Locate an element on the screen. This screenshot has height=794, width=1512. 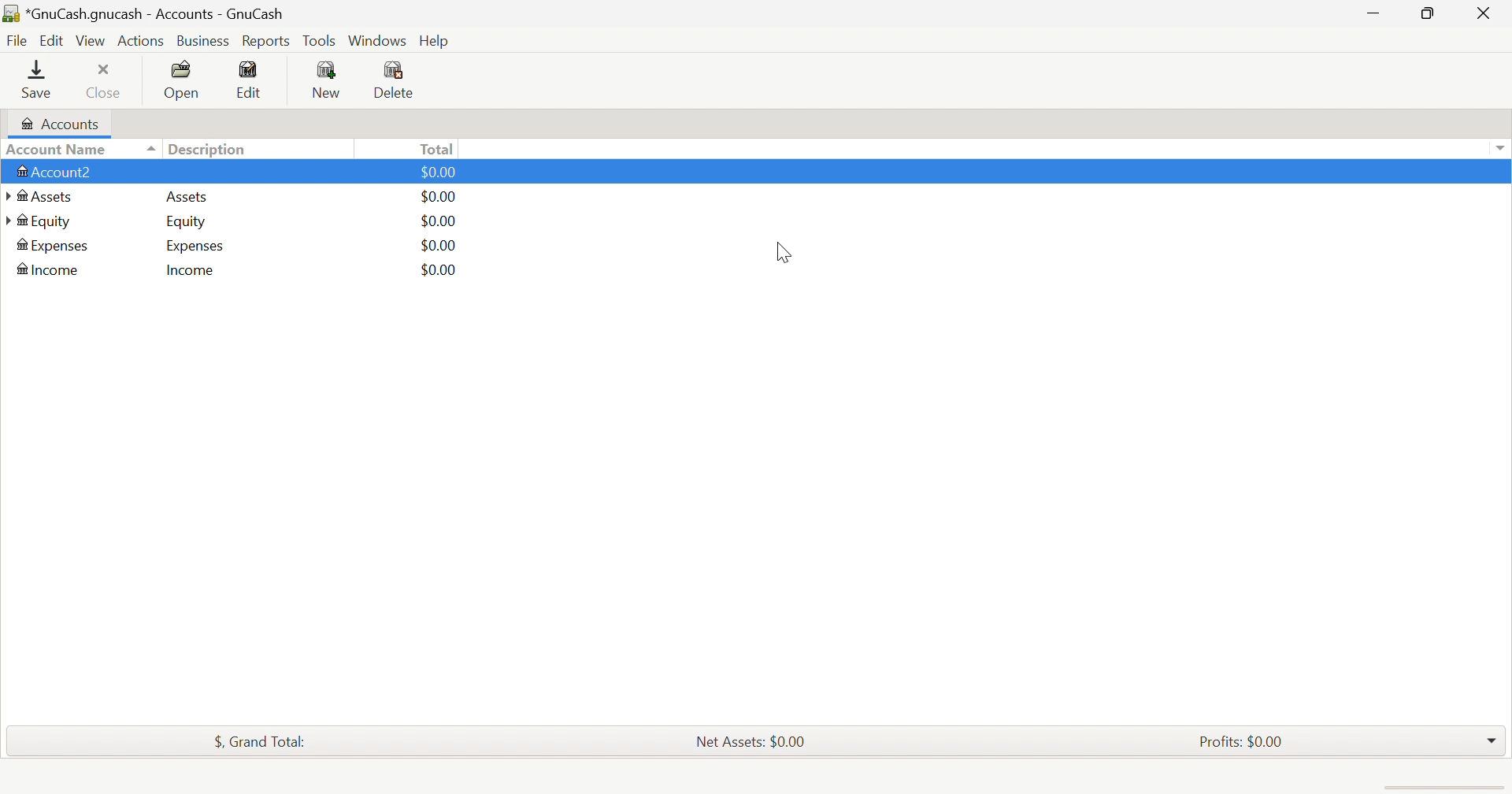
Close is located at coordinates (107, 80).